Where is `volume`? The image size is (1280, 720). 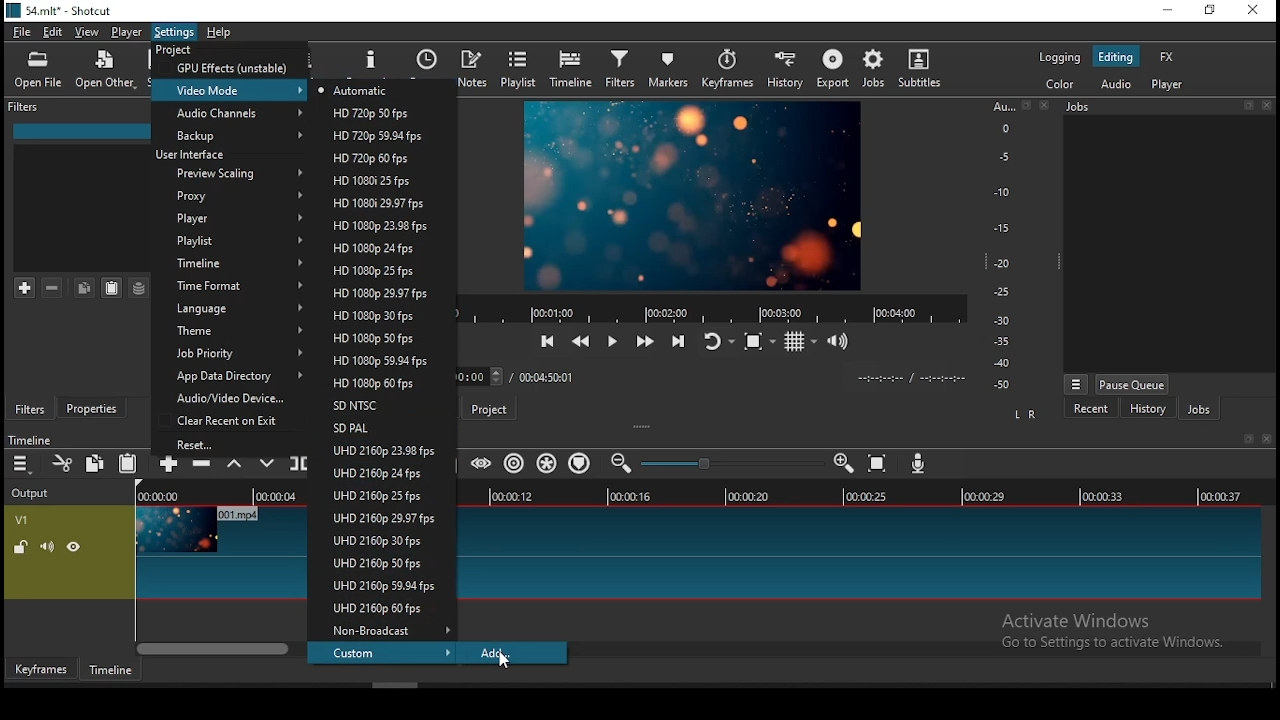 volume is located at coordinates (47, 546).